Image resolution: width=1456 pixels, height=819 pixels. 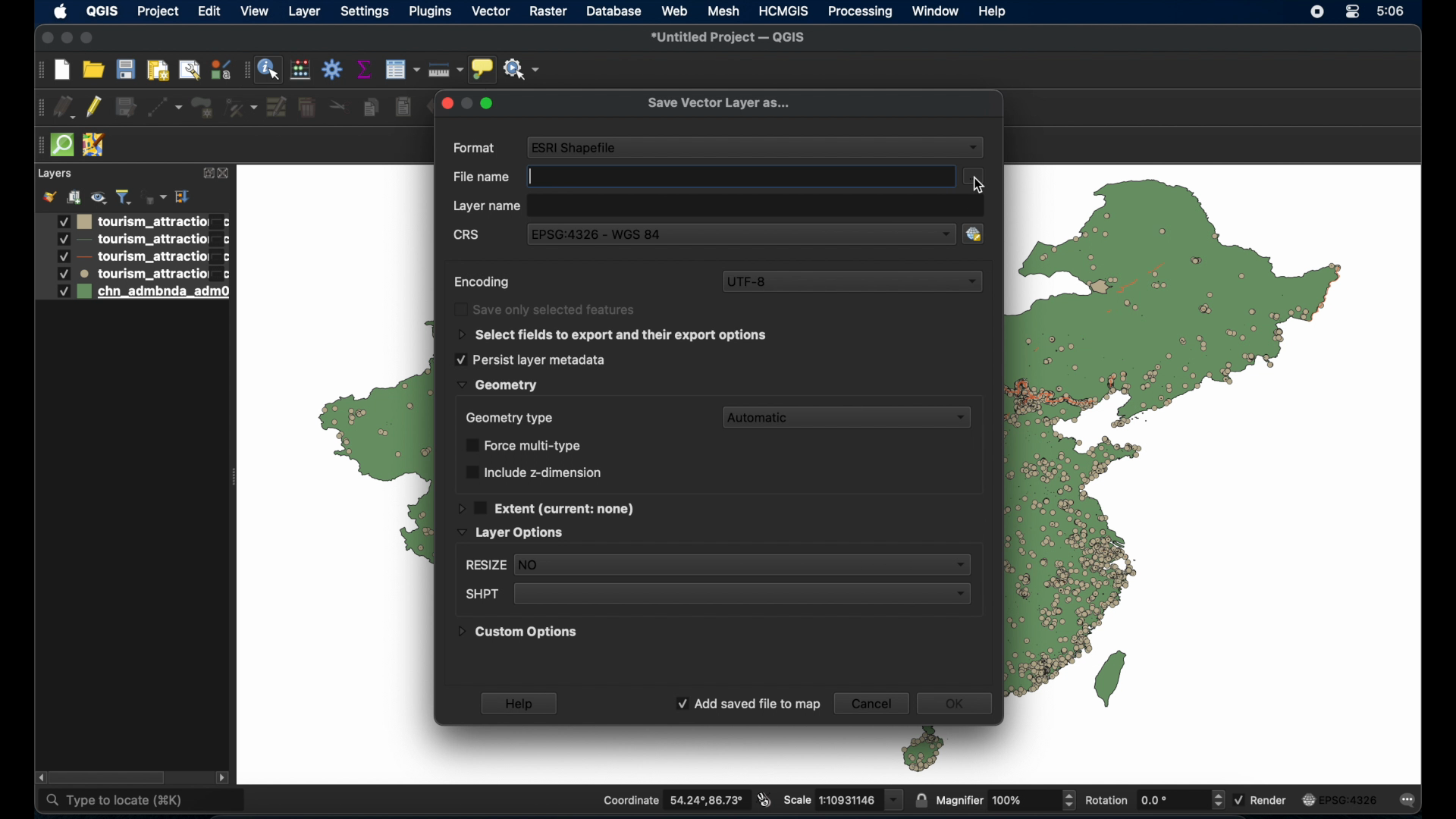 What do you see at coordinates (132, 293) in the screenshot?
I see `layer 5` at bounding box center [132, 293].